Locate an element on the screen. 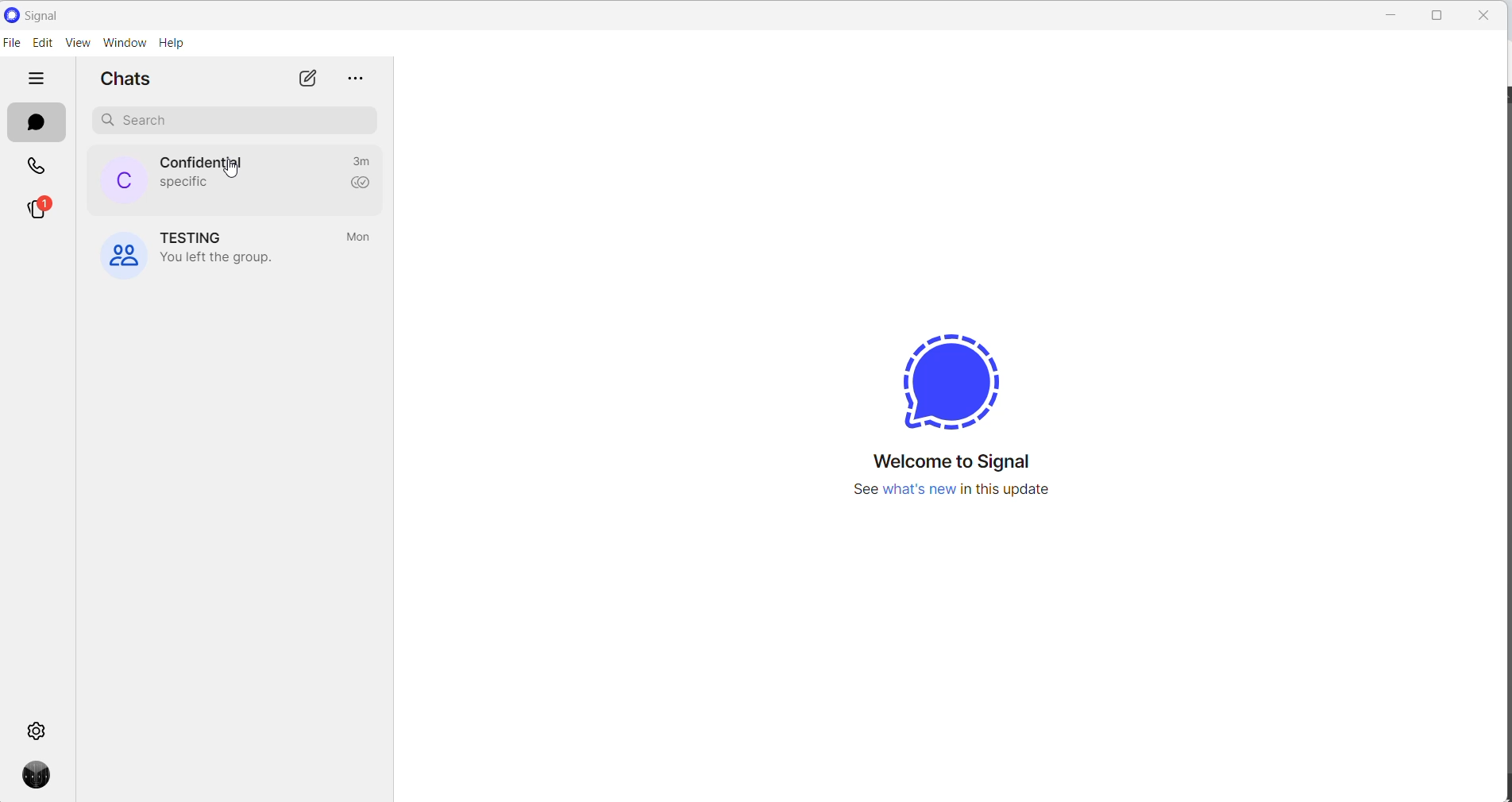 This screenshot has height=802, width=1512. window is located at coordinates (128, 44).